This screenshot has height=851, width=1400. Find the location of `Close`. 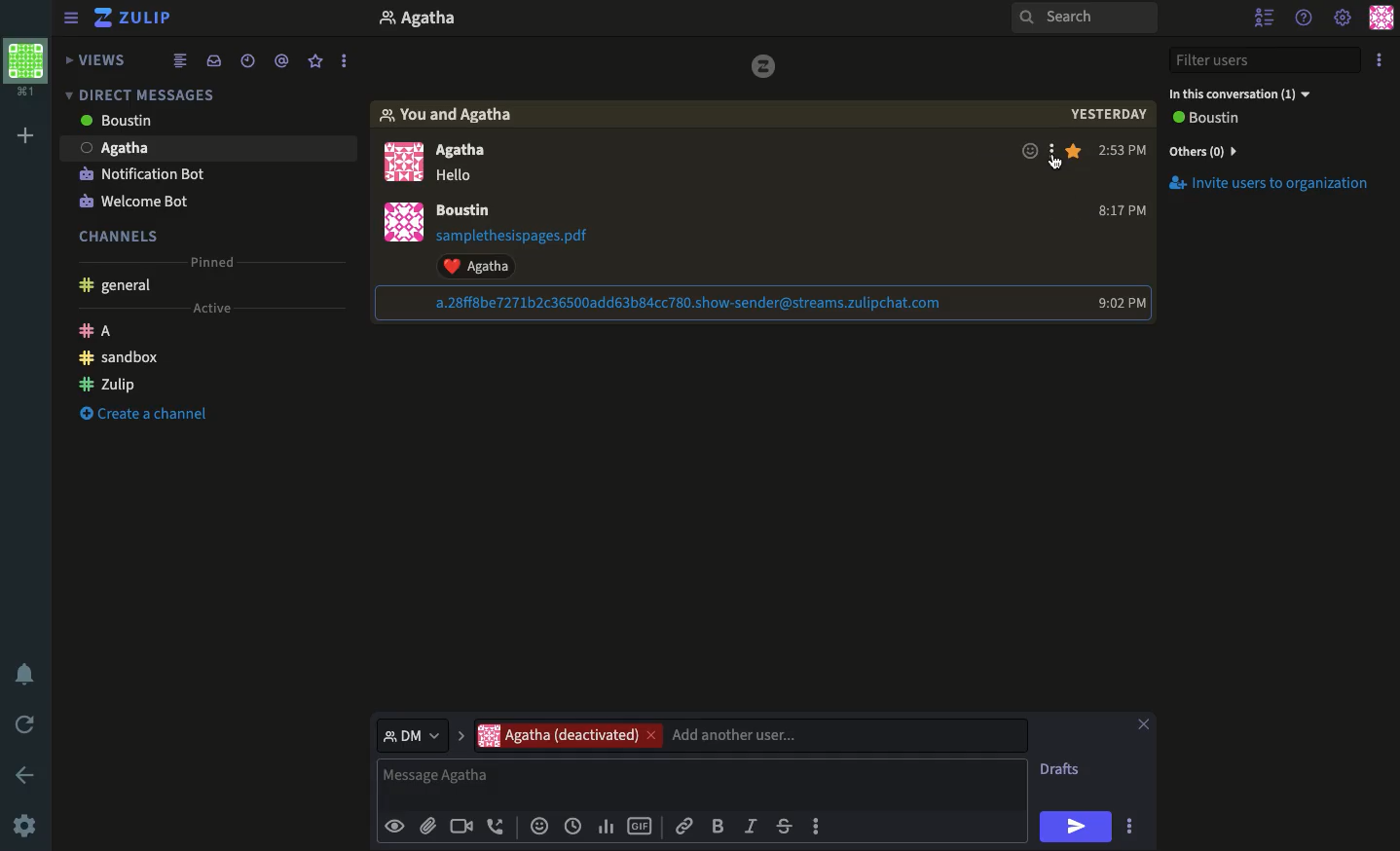

Close is located at coordinates (1143, 726).